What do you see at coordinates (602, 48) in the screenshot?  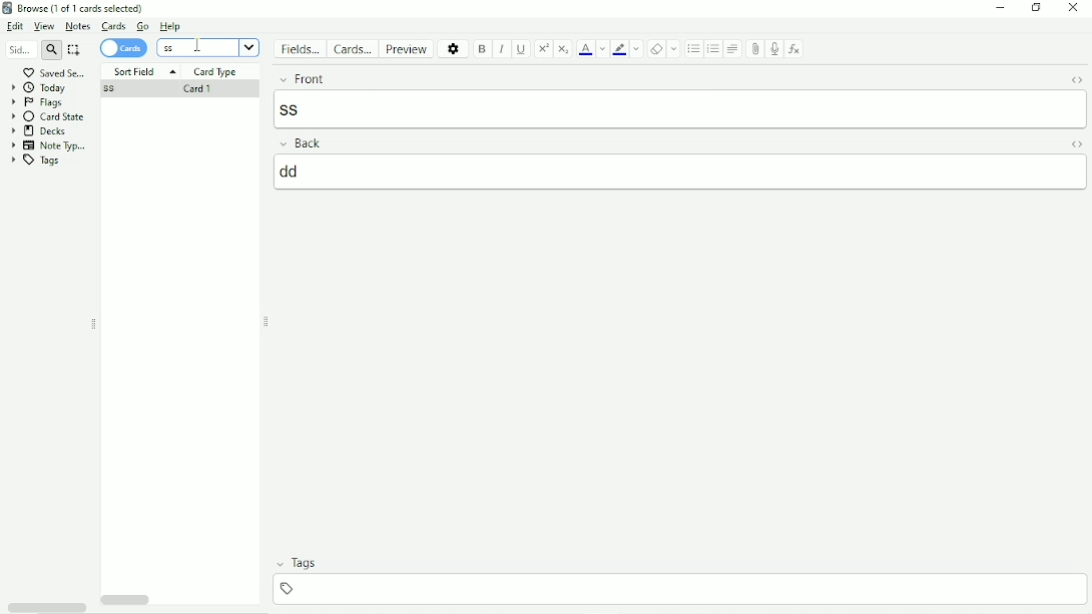 I see `Change color` at bounding box center [602, 48].